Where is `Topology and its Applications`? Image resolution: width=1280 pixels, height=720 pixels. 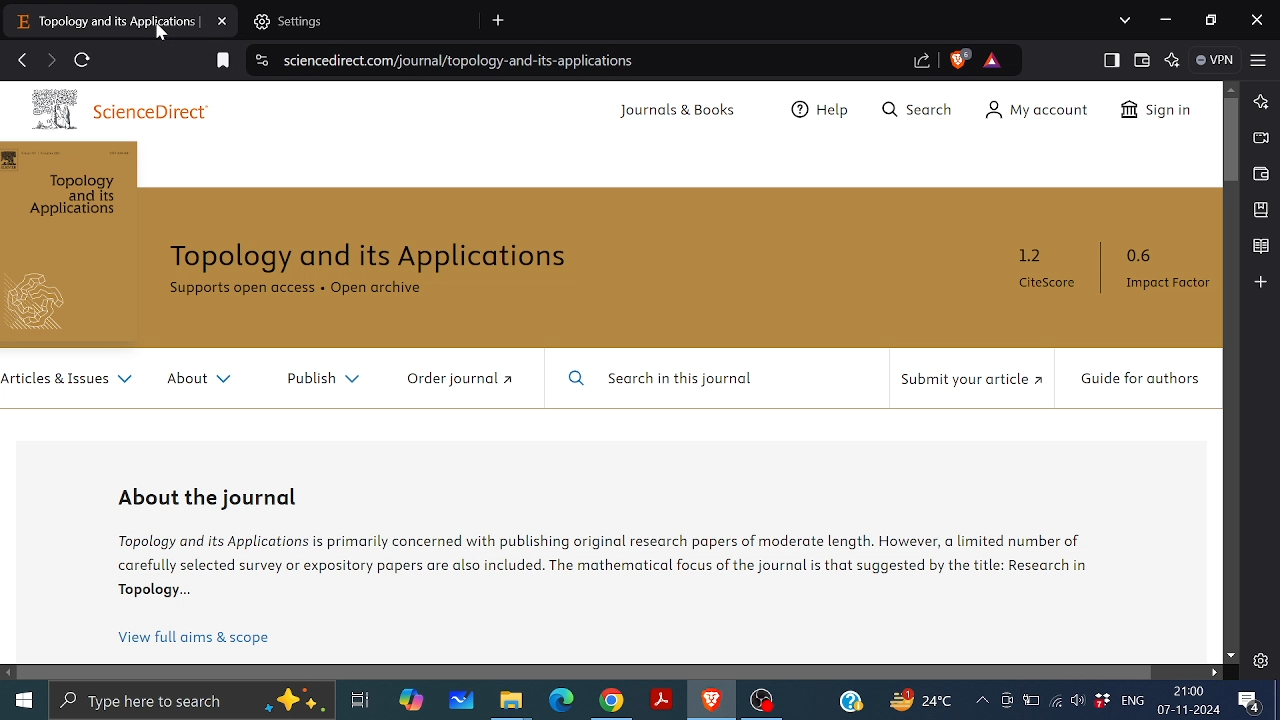
Topology and its Applications is located at coordinates (78, 196).